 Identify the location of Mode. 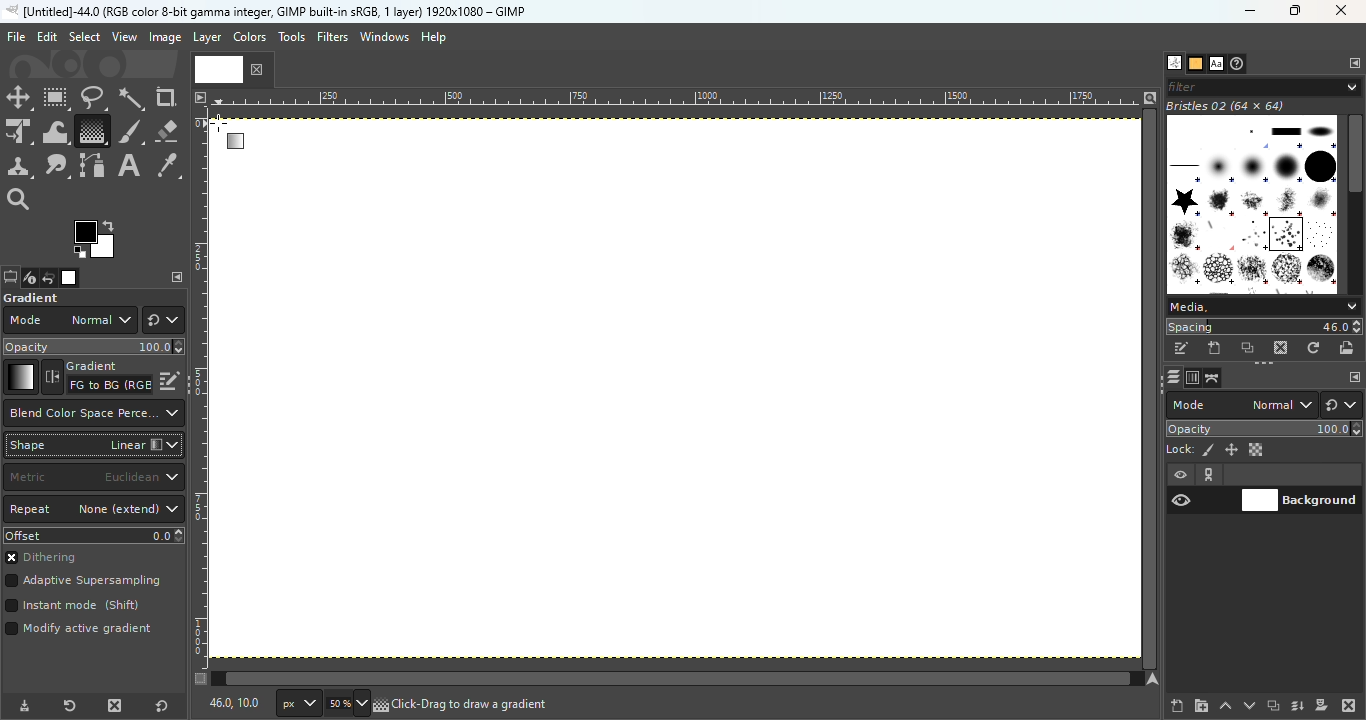
(1242, 405).